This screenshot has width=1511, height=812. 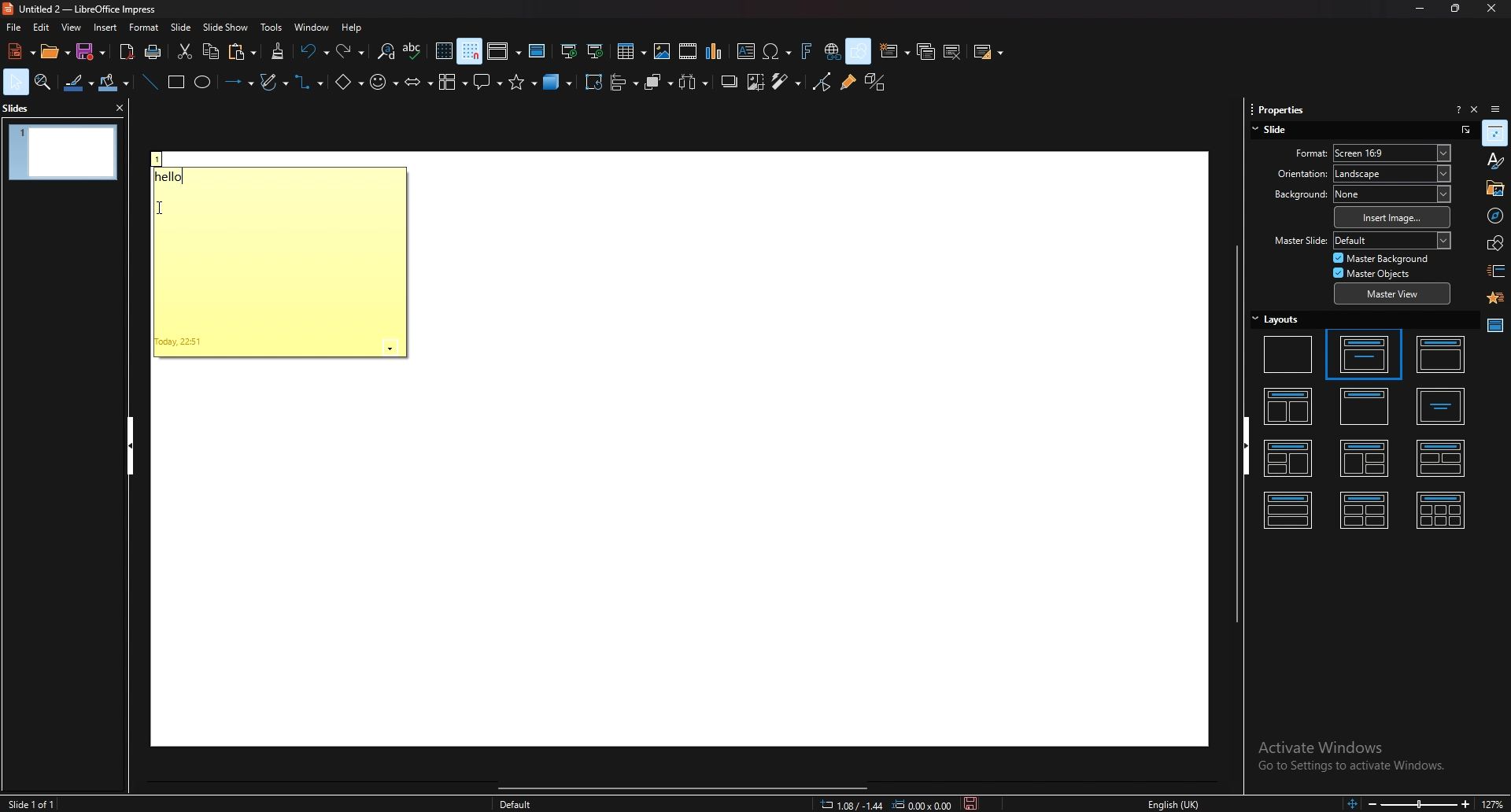 I want to click on slide transition, so click(x=1496, y=271).